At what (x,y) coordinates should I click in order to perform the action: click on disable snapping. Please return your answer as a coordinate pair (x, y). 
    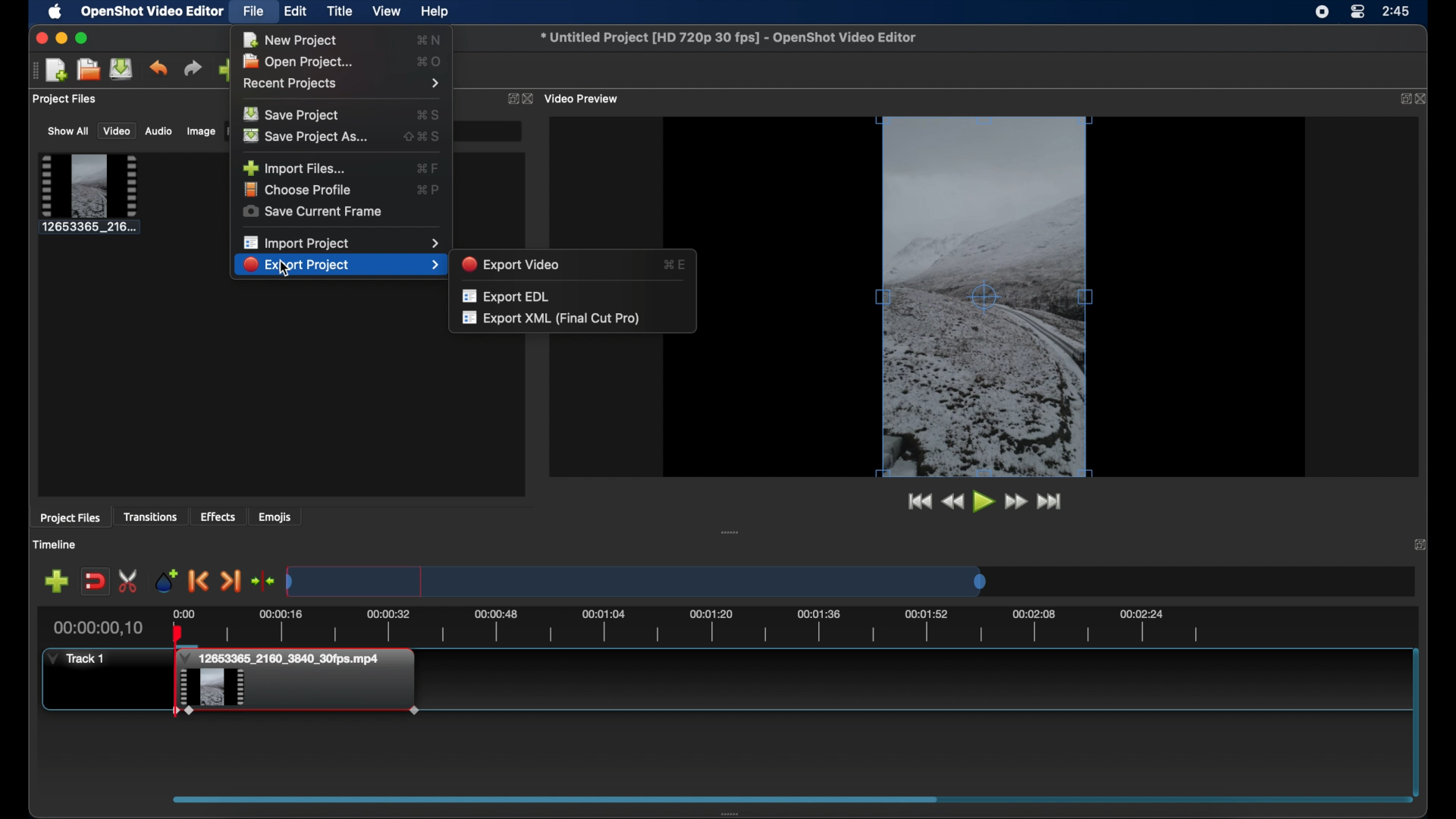
    Looking at the image, I should click on (95, 581).